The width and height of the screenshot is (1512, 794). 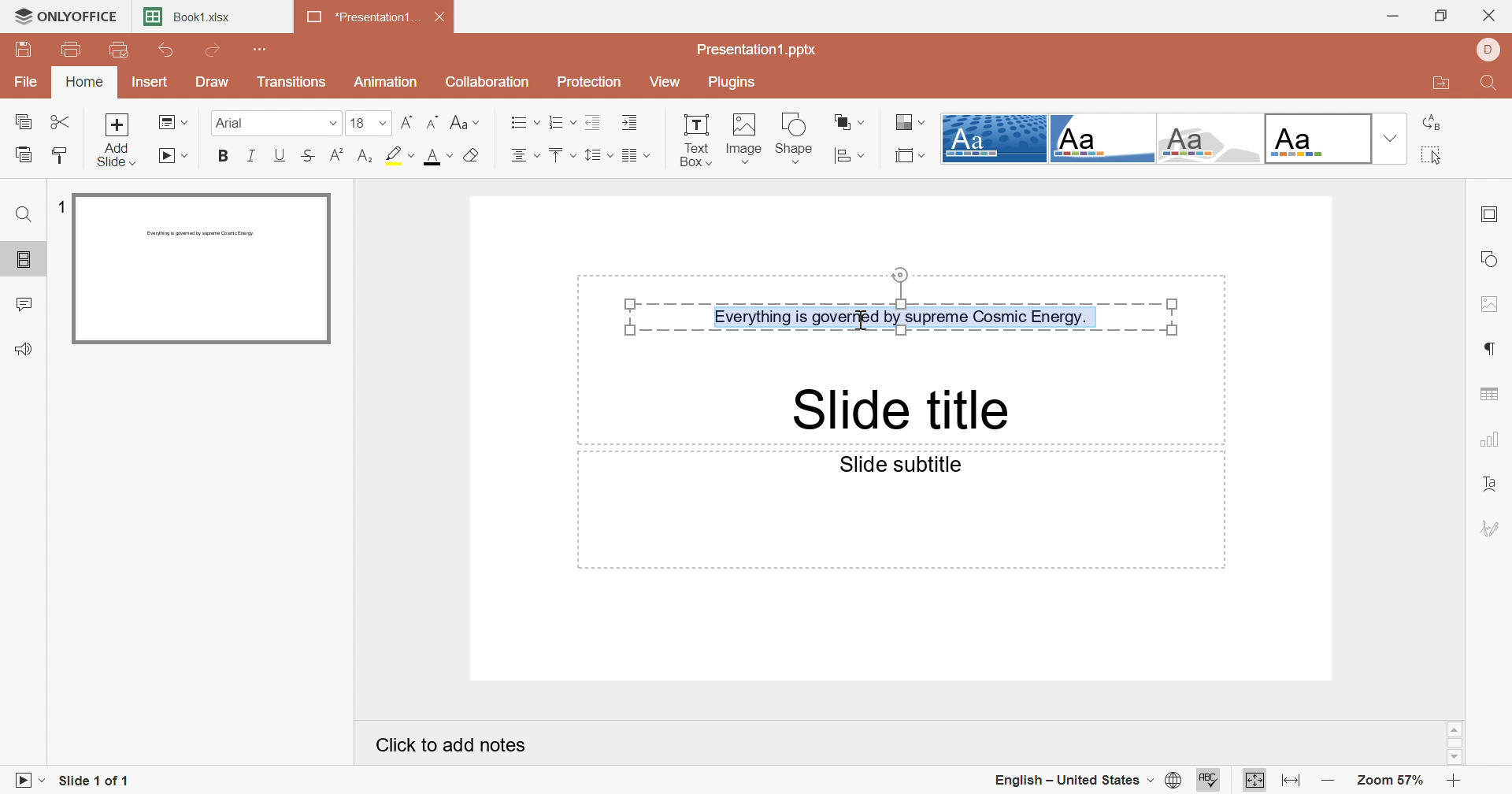 What do you see at coordinates (891, 463) in the screenshot?
I see `Slide subtitle` at bounding box center [891, 463].